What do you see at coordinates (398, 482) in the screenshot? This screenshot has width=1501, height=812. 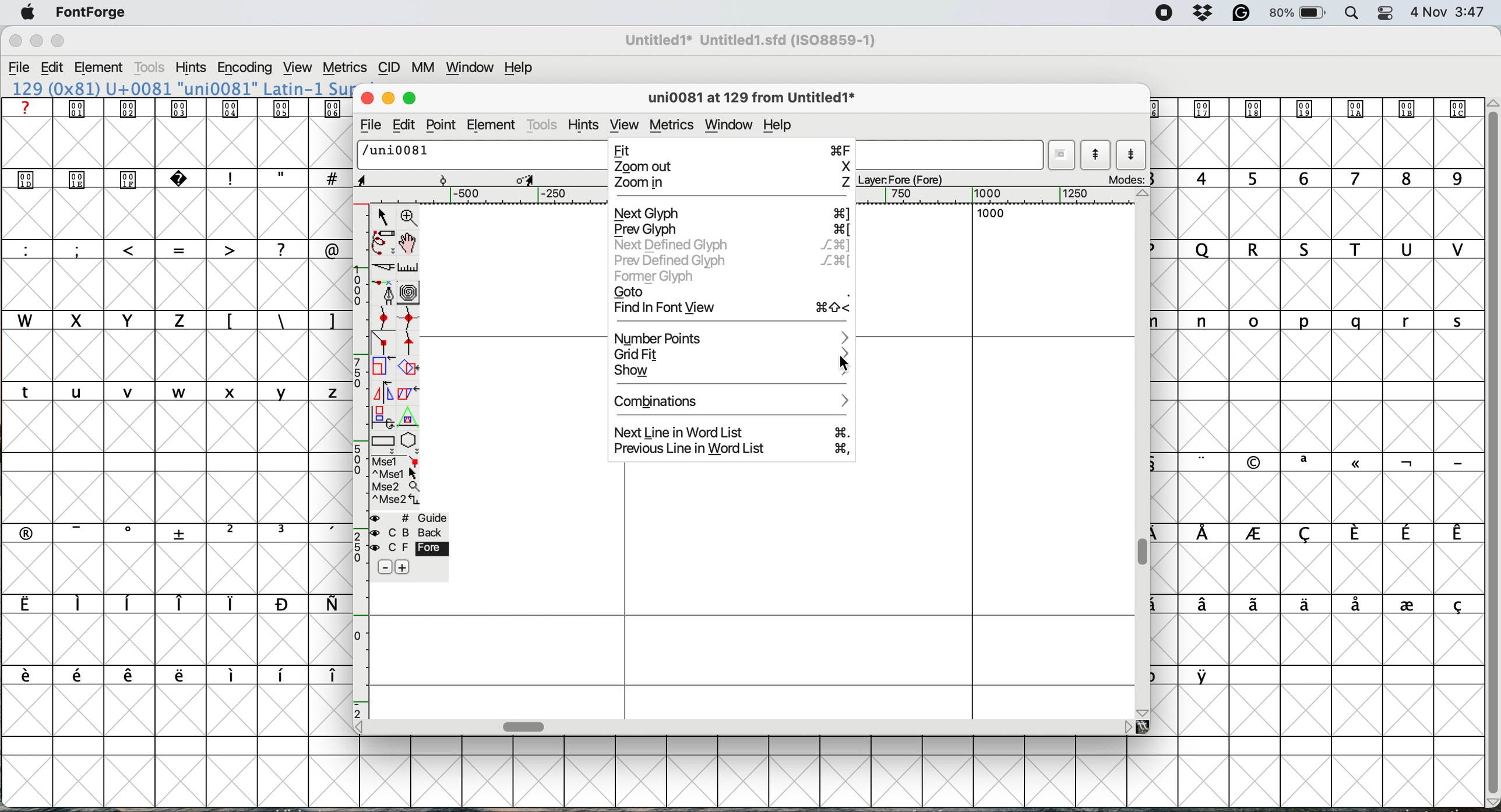 I see `selections` at bounding box center [398, 482].